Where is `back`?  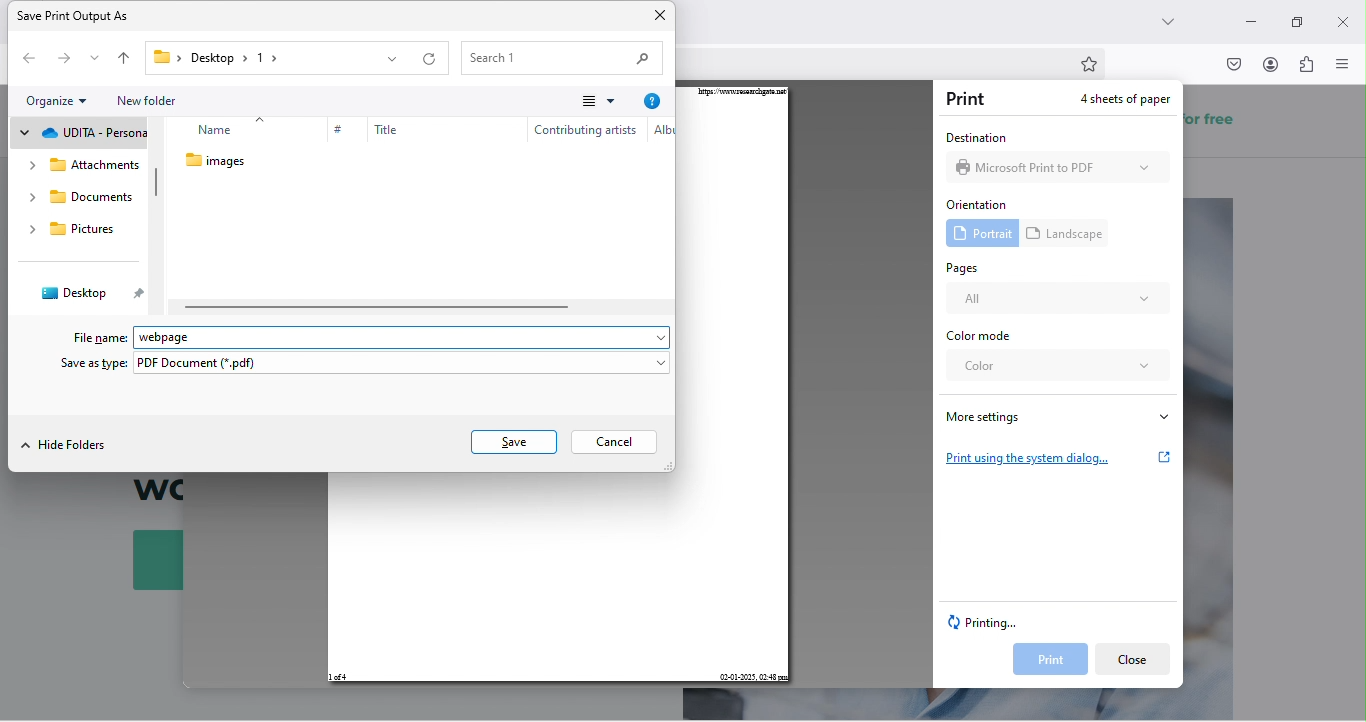 back is located at coordinates (24, 61).